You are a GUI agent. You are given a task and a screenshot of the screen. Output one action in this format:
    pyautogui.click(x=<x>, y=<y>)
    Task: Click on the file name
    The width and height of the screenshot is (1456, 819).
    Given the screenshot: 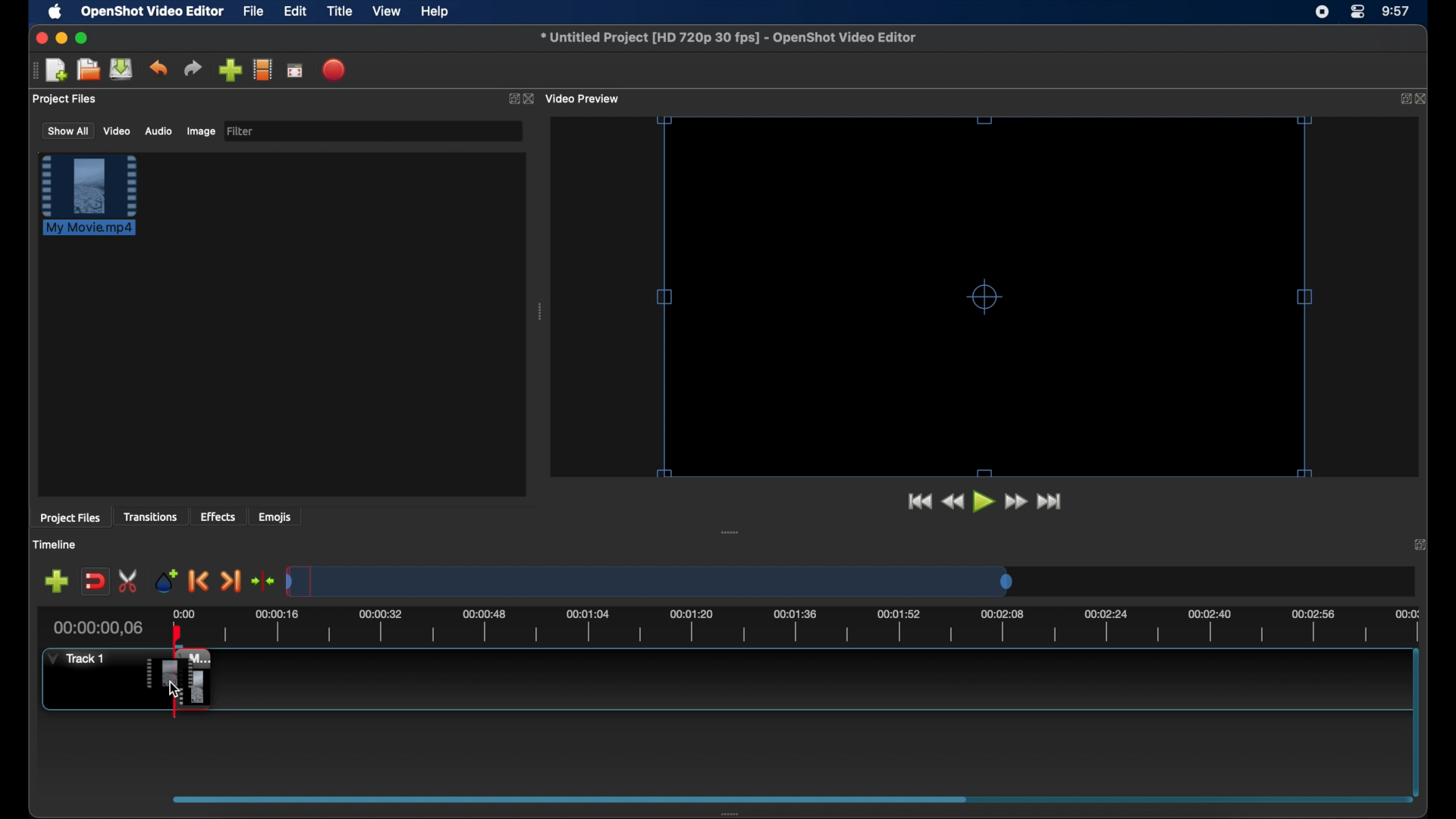 What is the action you would take?
    pyautogui.click(x=730, y=38)
    